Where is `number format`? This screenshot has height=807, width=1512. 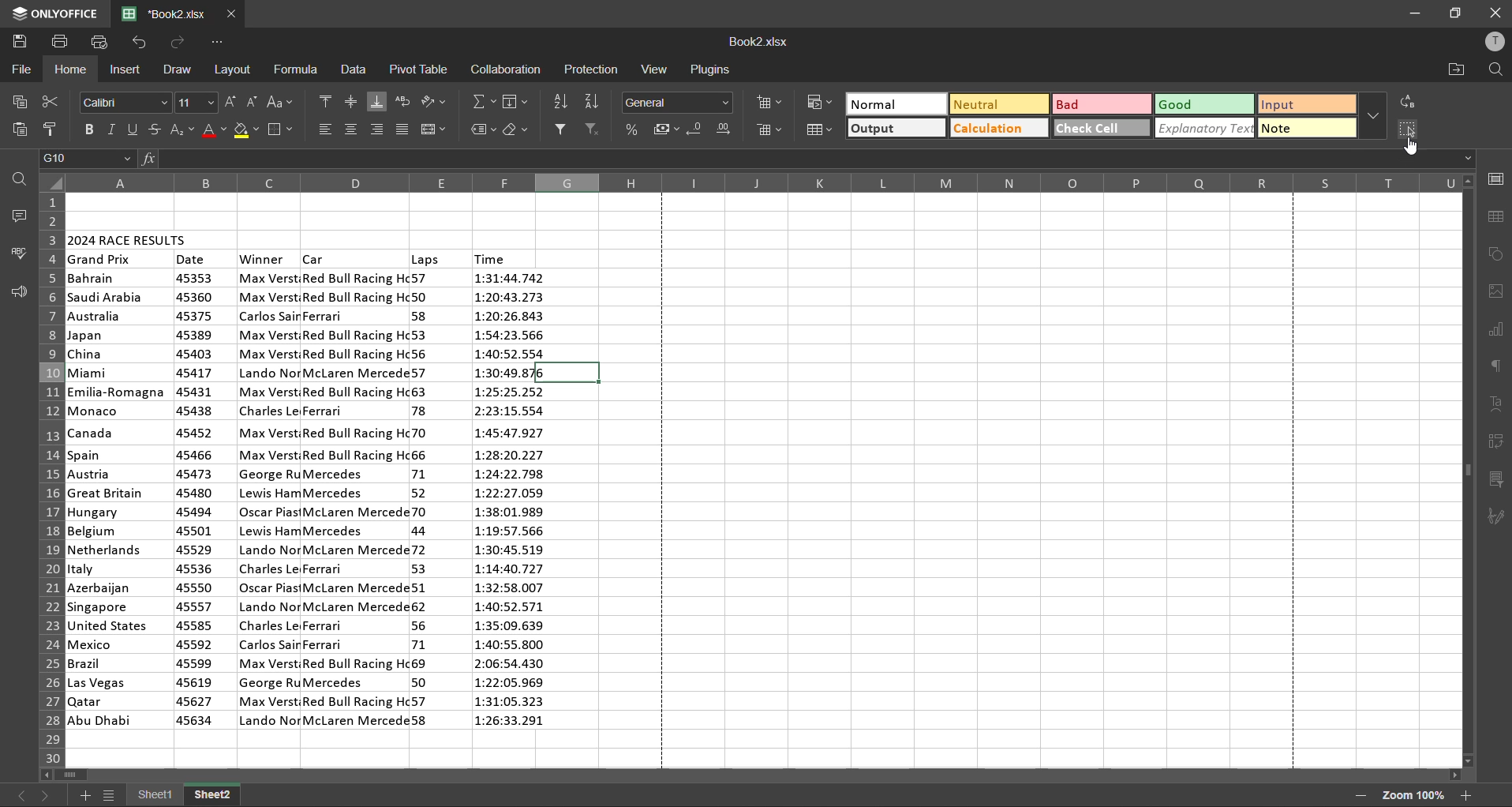
number format is located at coordinates (678, 103).